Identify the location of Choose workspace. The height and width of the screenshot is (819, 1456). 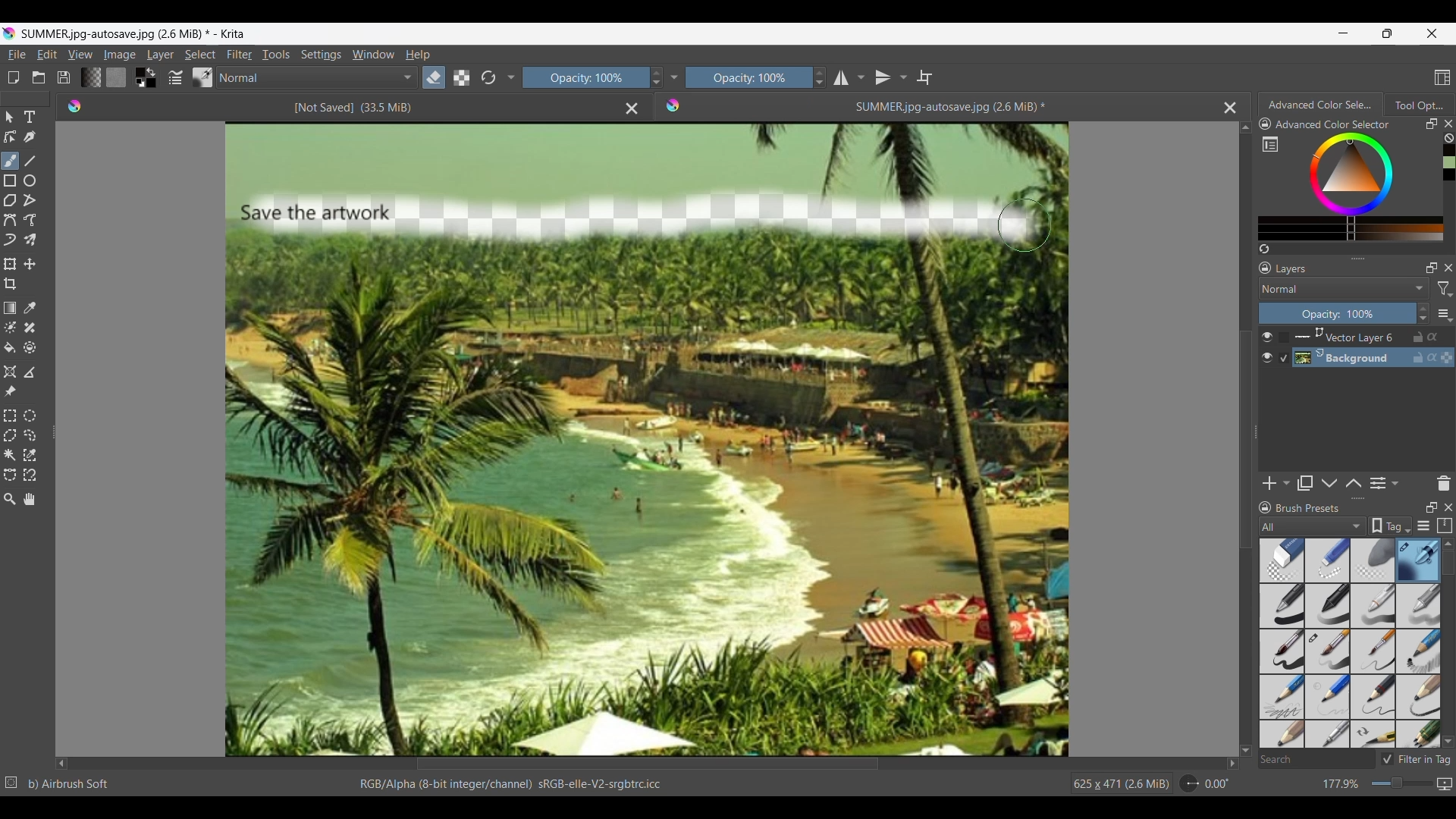
(1442, 77).